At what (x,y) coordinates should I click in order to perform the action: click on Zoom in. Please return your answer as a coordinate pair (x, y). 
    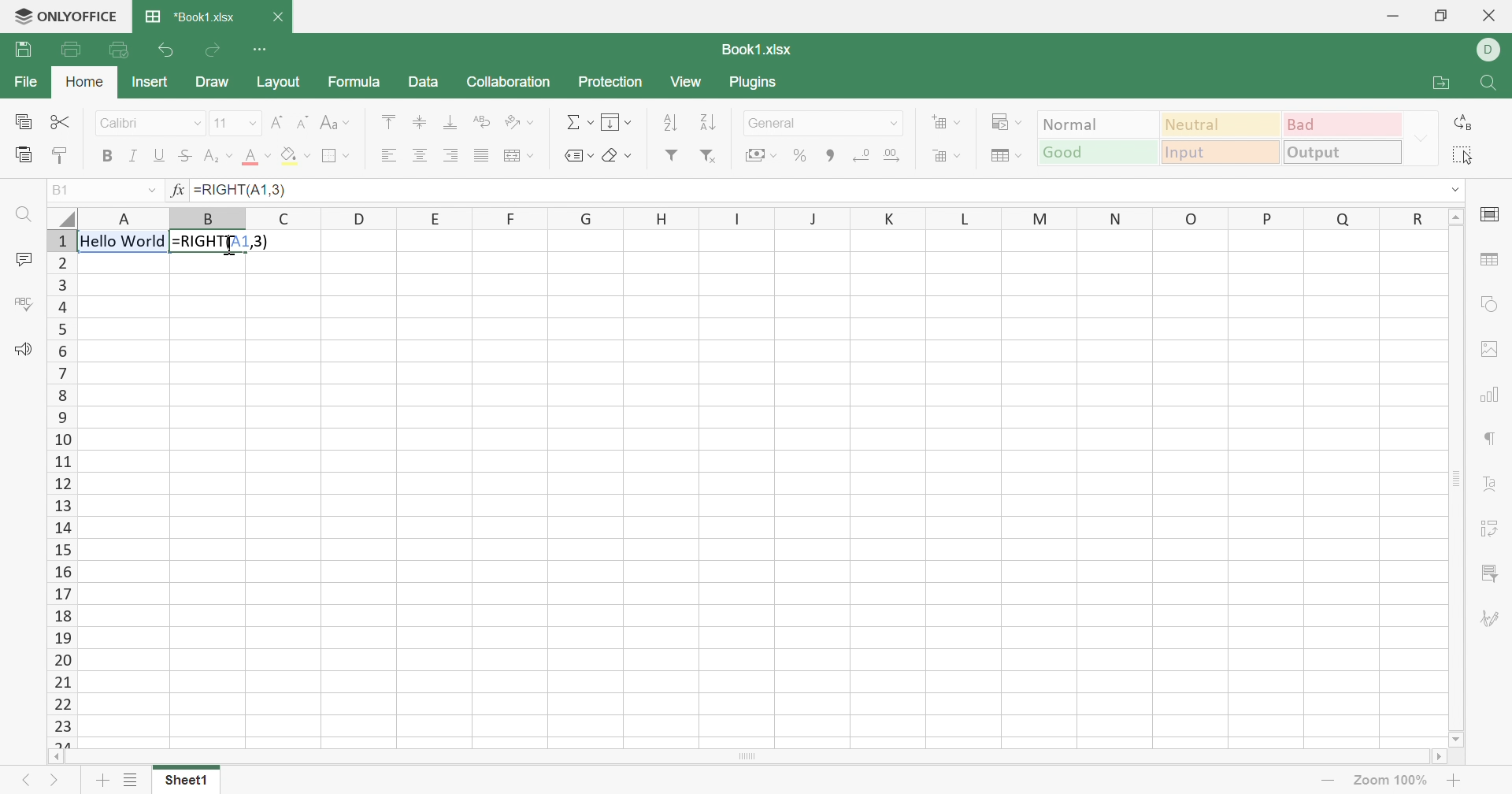
    Looking at the image, I should click on (1455, 783).